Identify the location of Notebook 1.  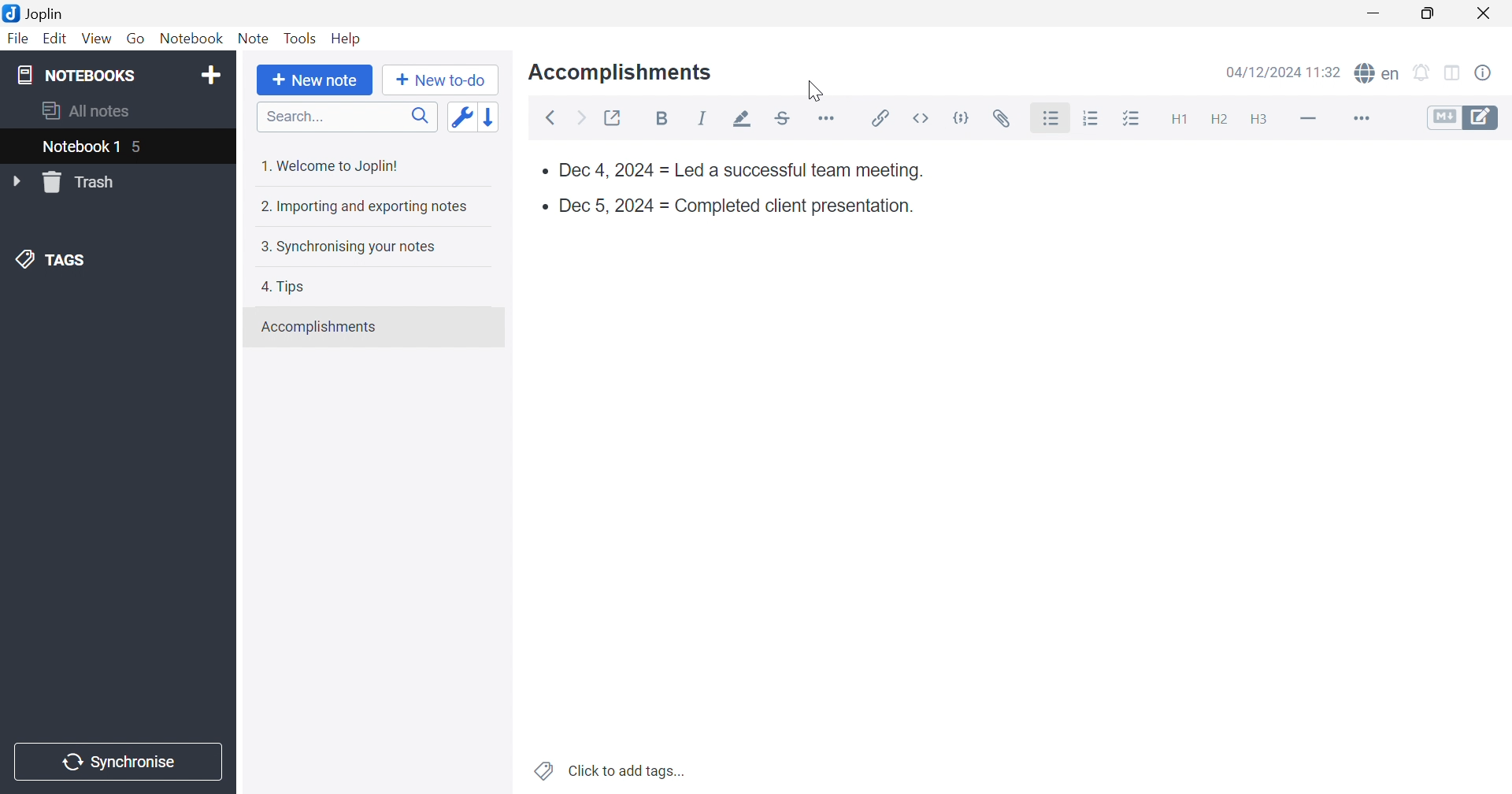
(80, 147).